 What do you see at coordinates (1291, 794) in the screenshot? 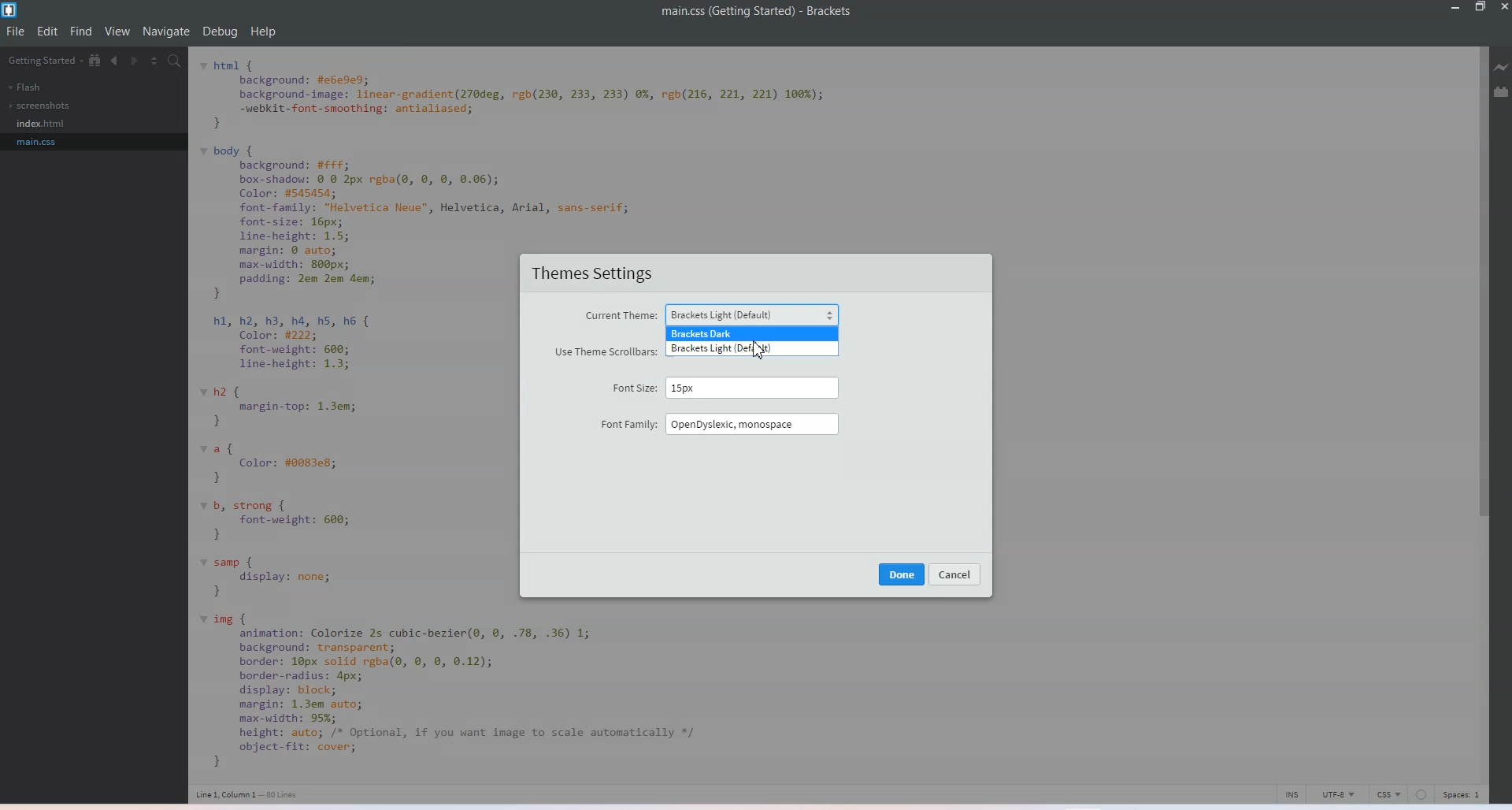
I see `click to toggle cursor` at bounding box center [1291, 794].